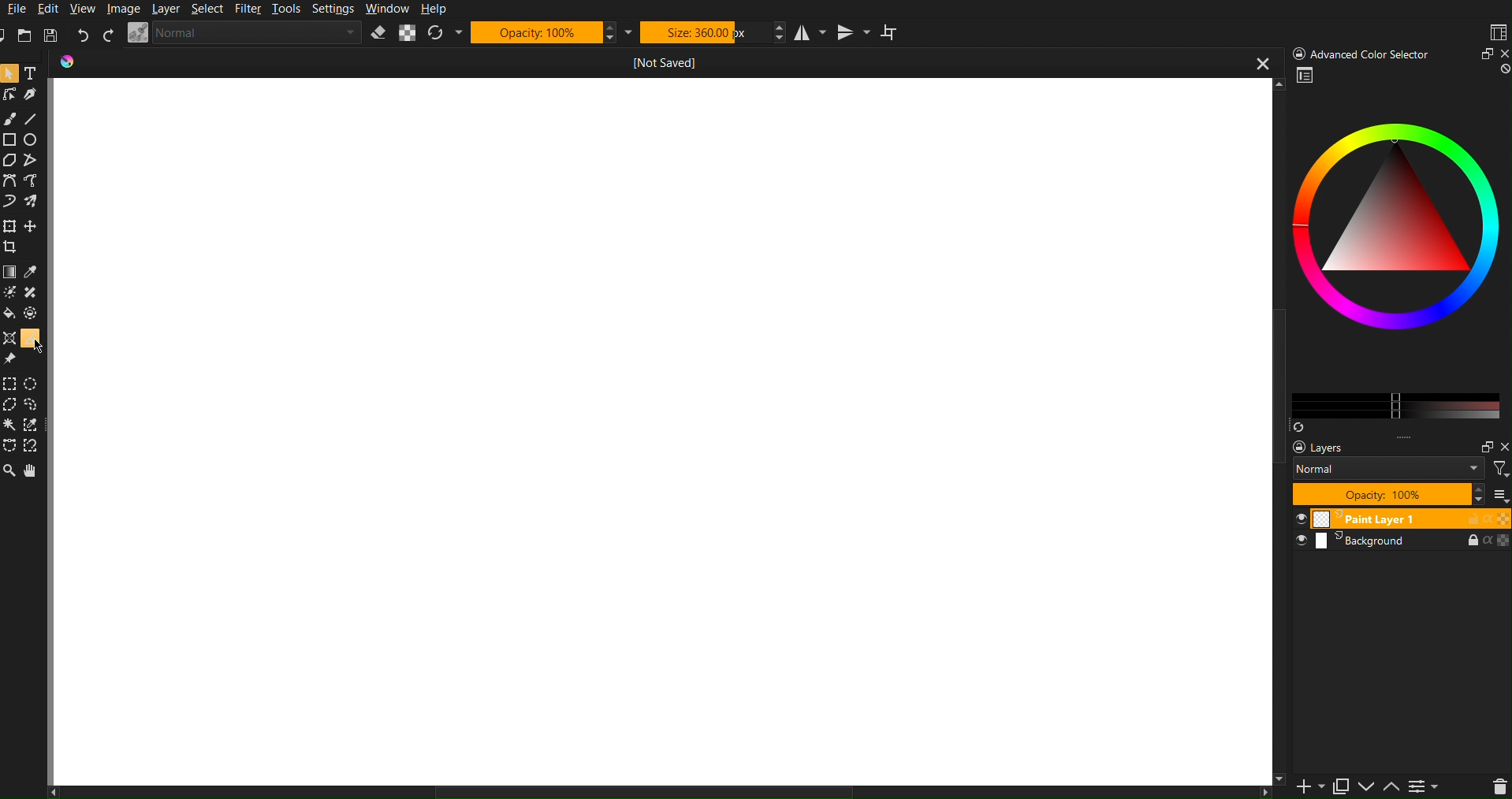 This screenshot has width=1512, height=799. What do you see at coordinates (35, 162) in the screenshot?
I see `Straight Line` at bounding box center [35, 162].